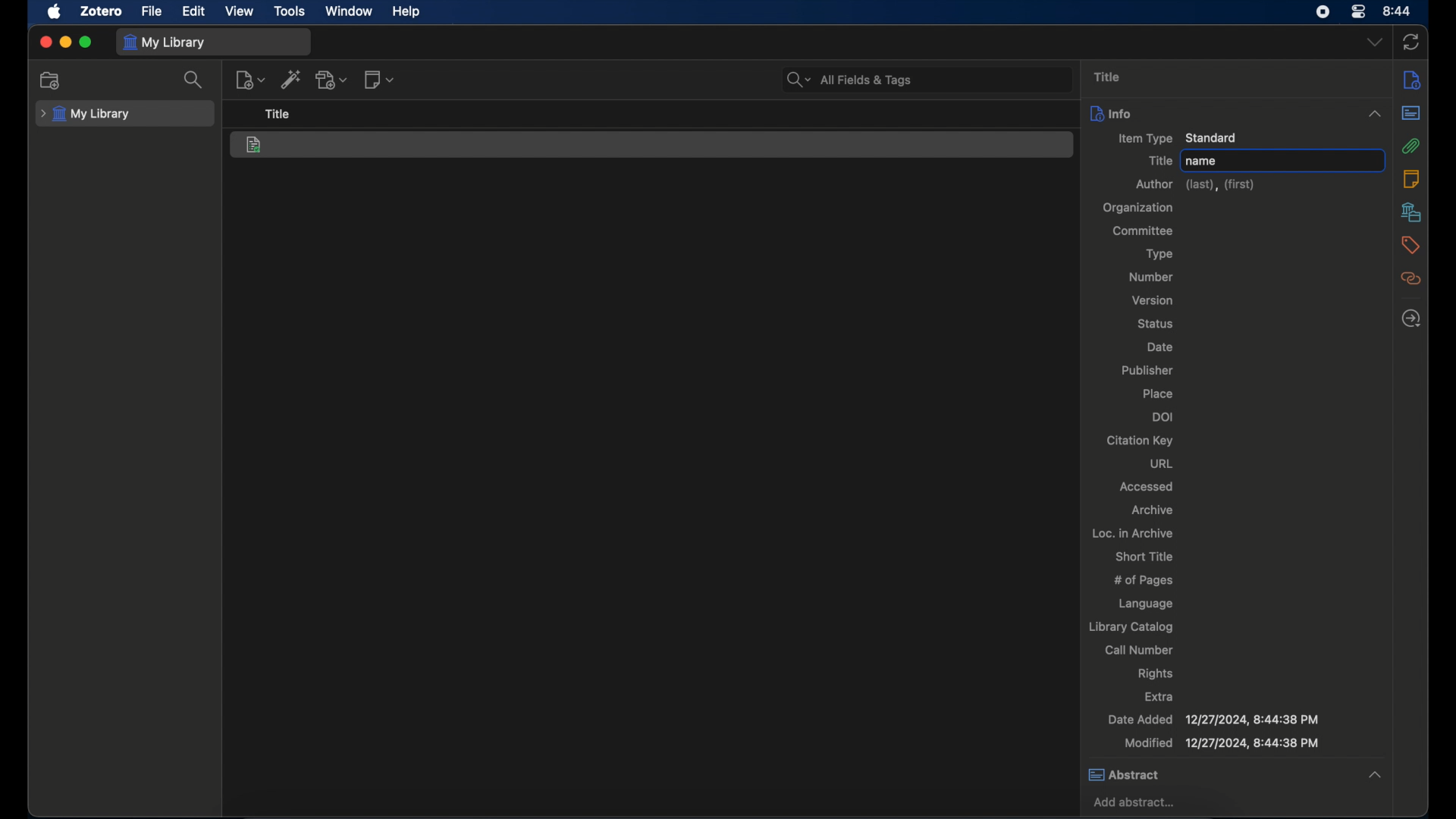  What do you see at coordinates (798, 80) in the screenshot?
I see `search dropdown` at bounding box center [798, 80].